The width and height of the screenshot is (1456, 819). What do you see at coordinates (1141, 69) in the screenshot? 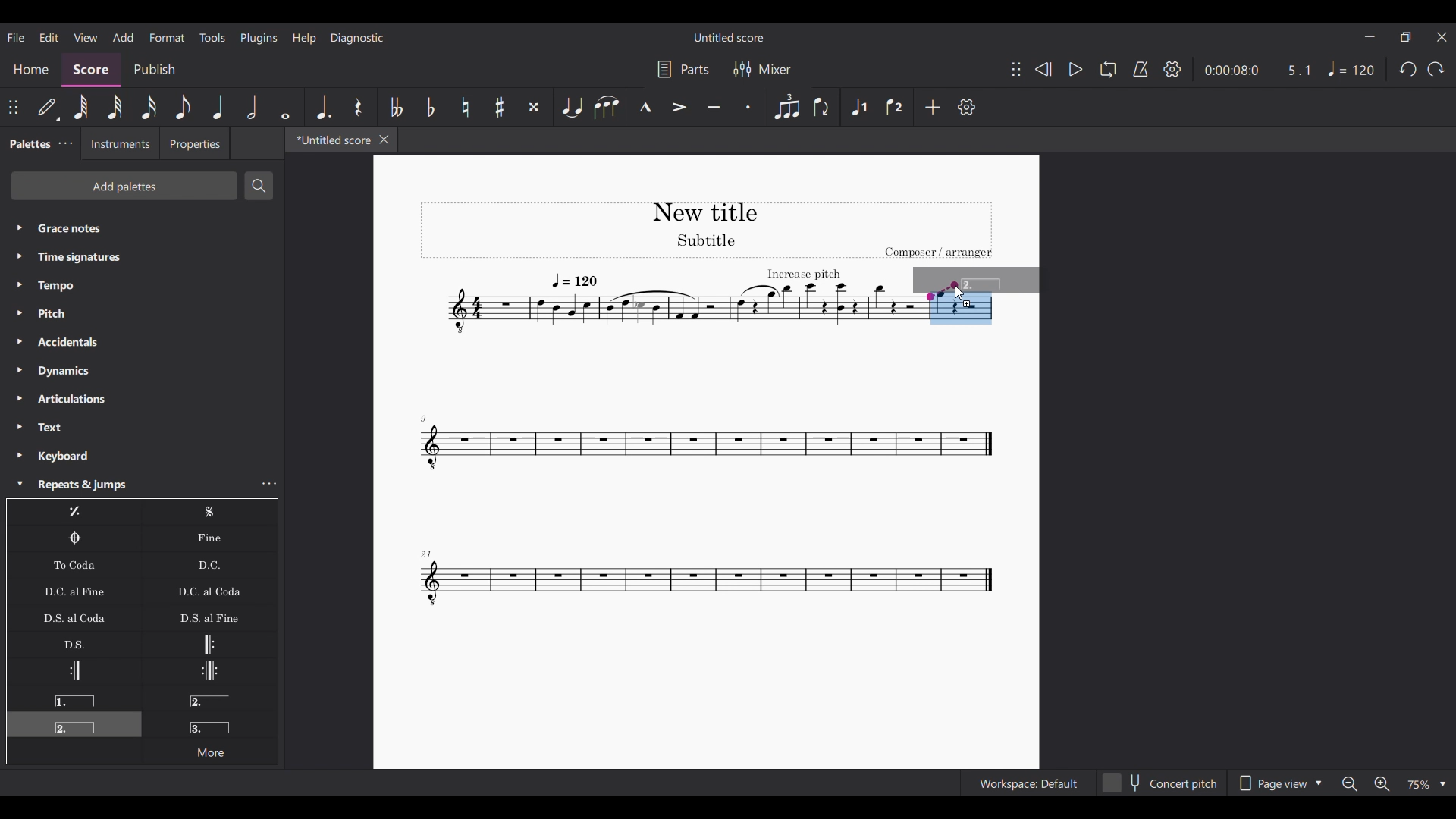
I see `Metronome` at bounding box center [1141, 69].